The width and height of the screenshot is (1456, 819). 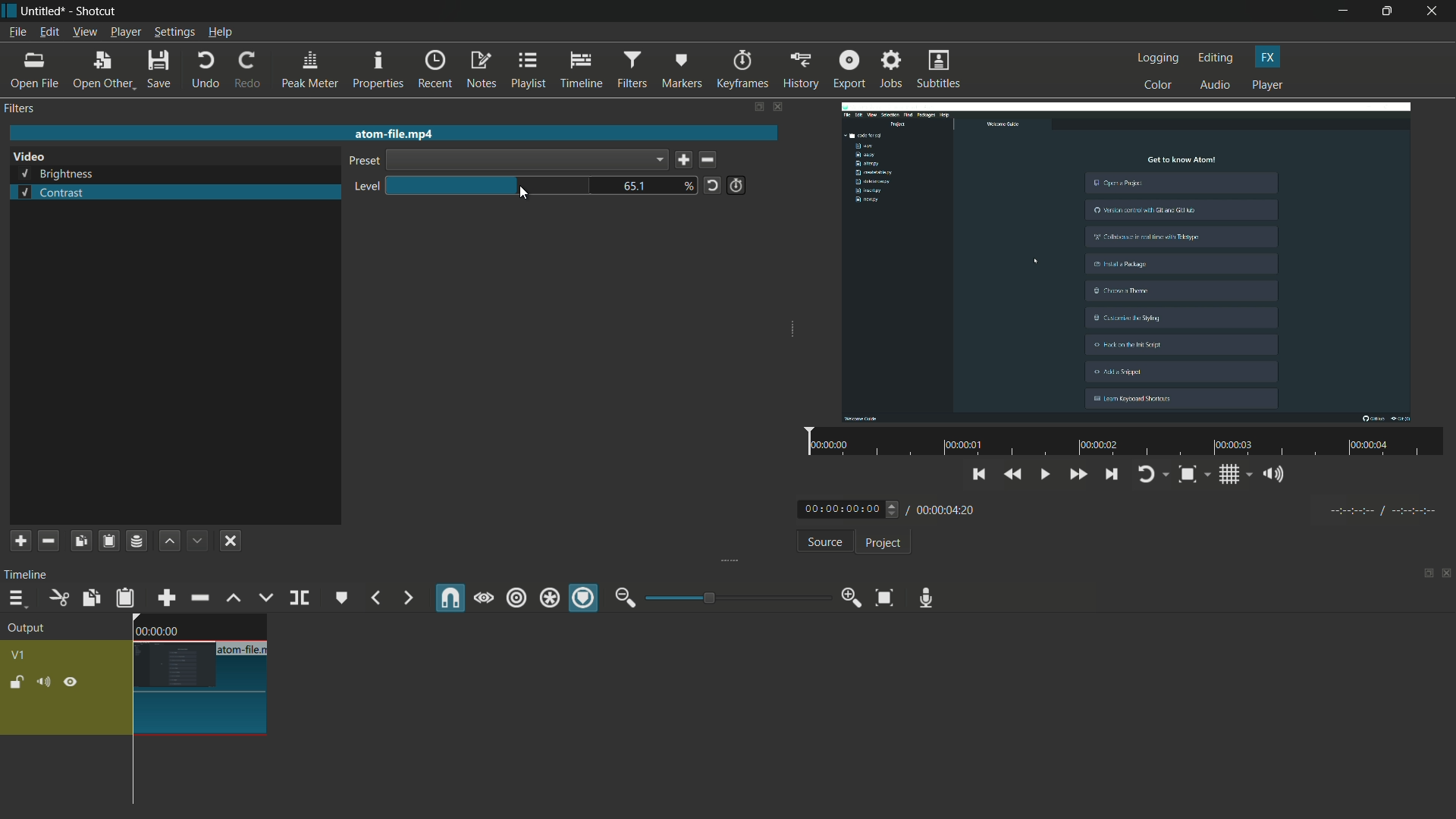 What do you see at coordinates (638, 187) in the screenshot?
I see `65.1` at bounding box center [638, 187].